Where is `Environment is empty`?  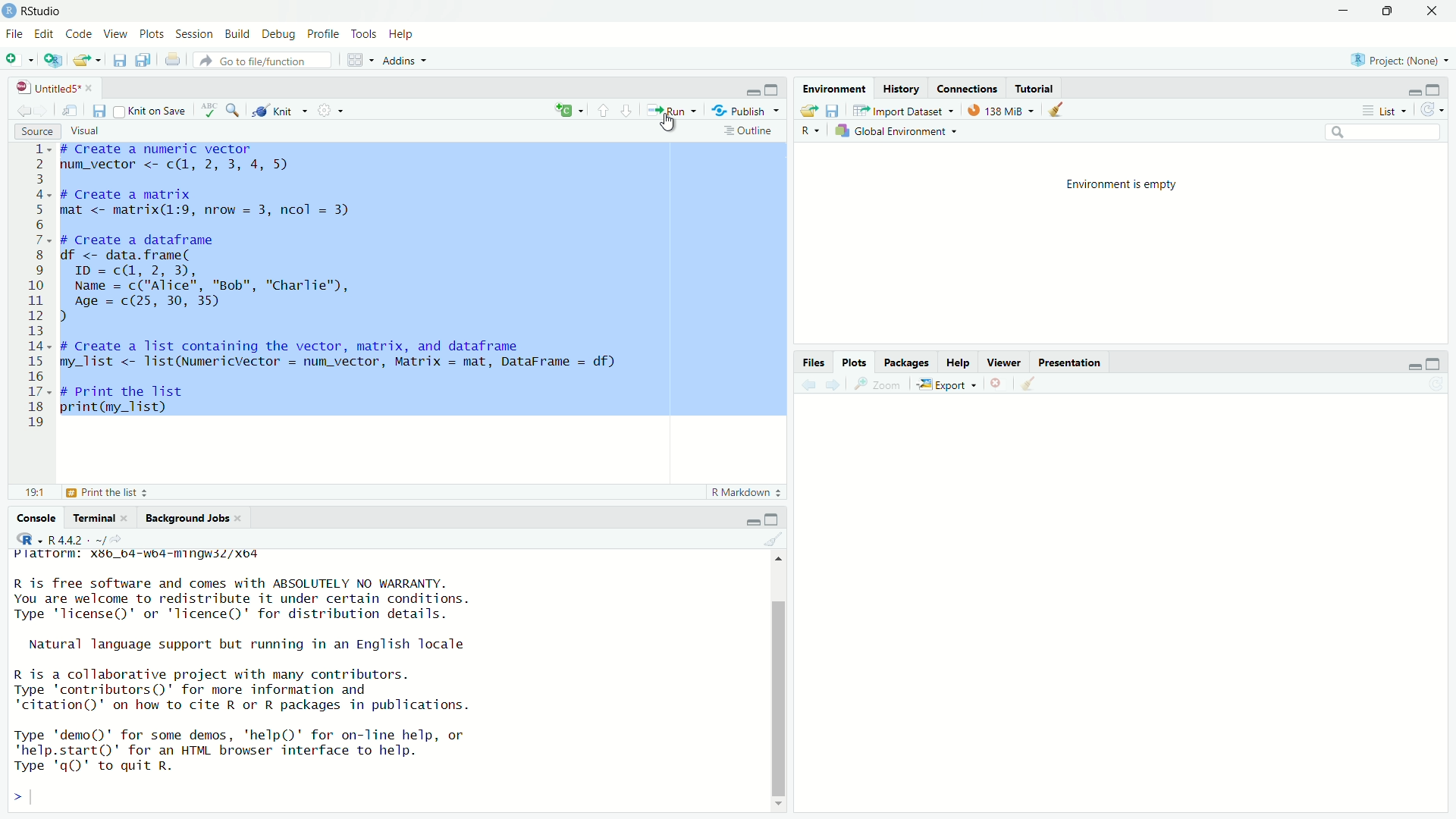 Environment is empty is located at coordinates (1133, 184).